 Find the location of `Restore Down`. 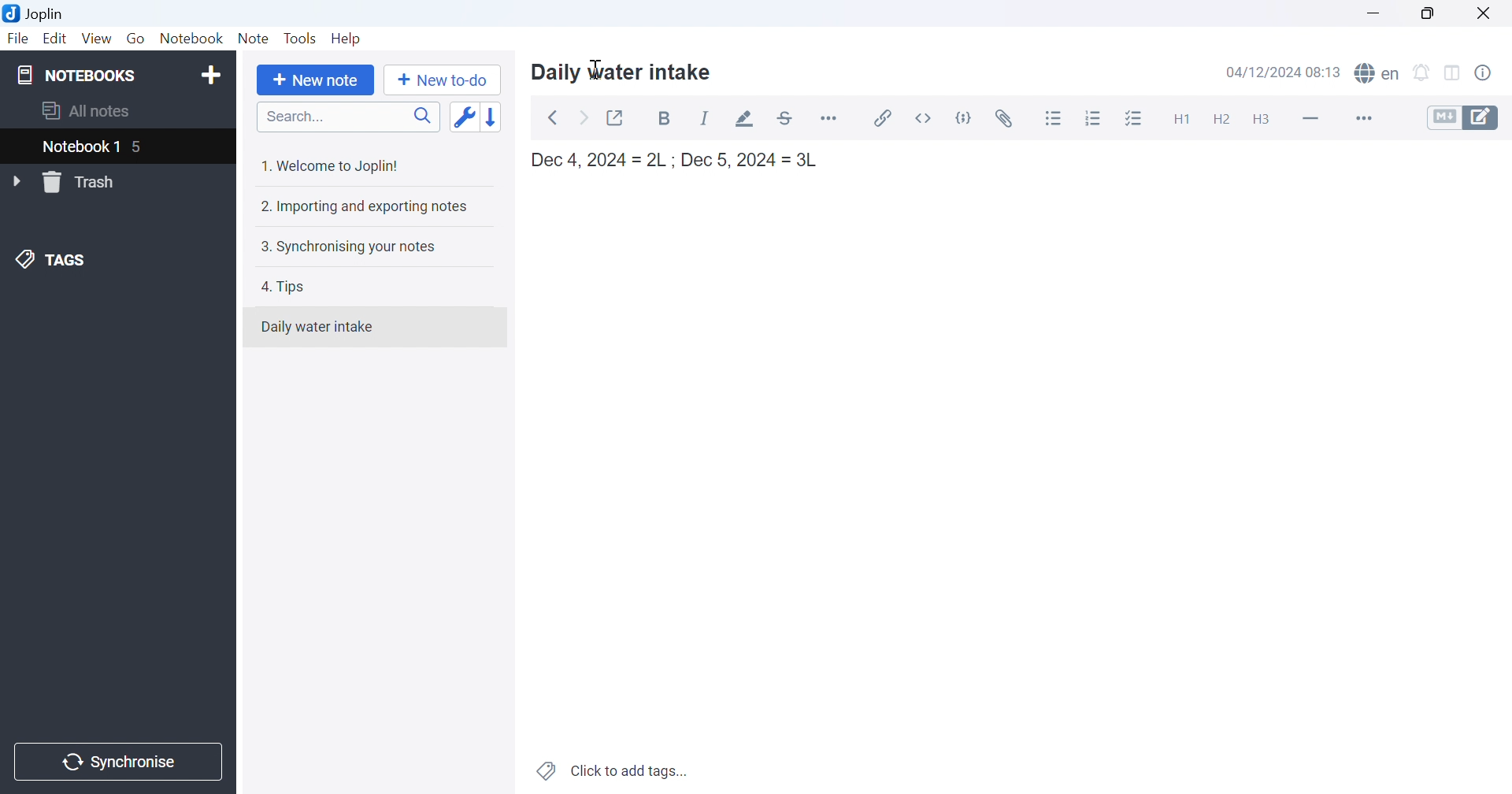

Restore Down is located at coordinates (1435, 12).